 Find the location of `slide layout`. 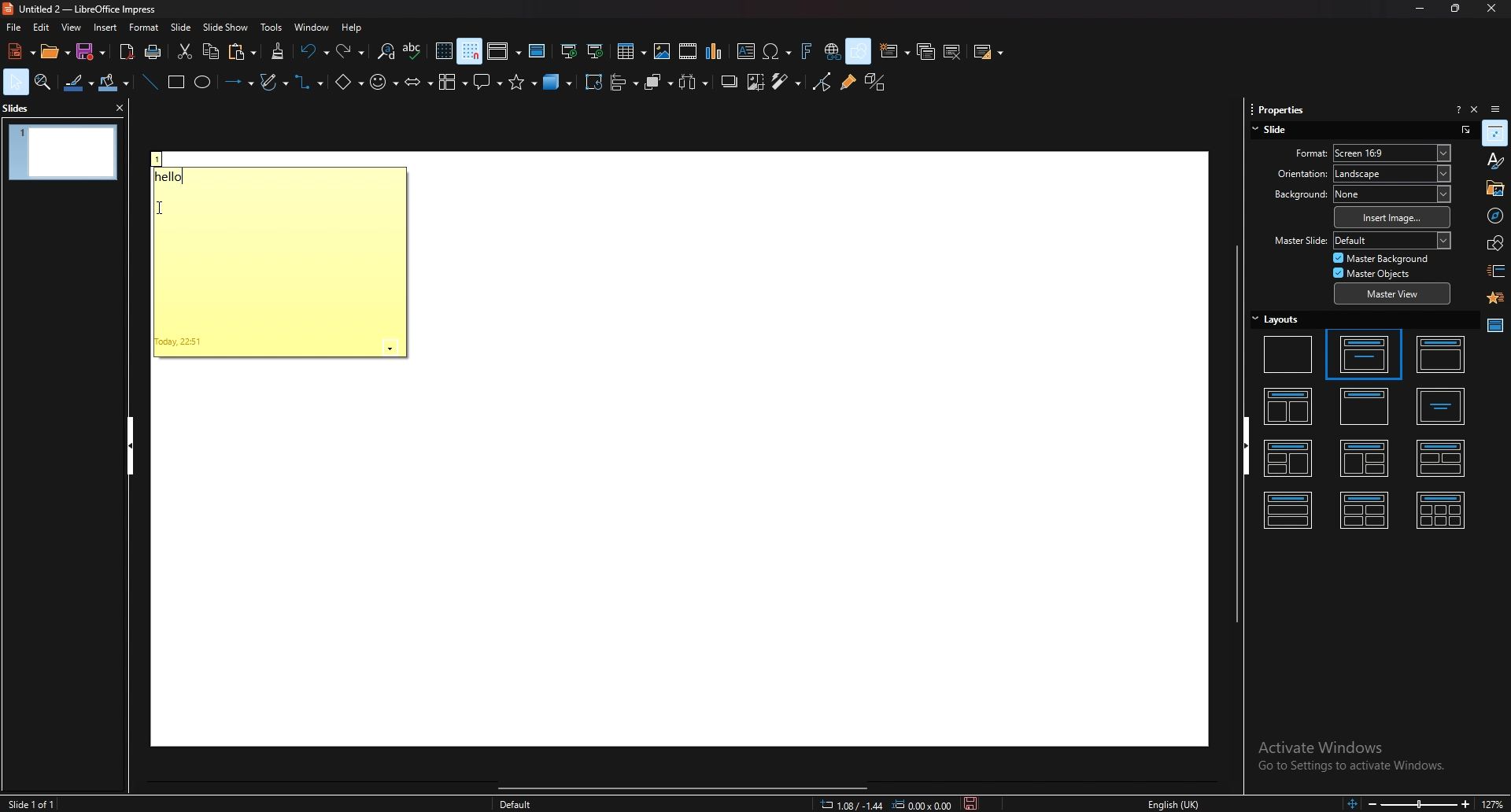

slide layout is located at coordinates (988, 52).